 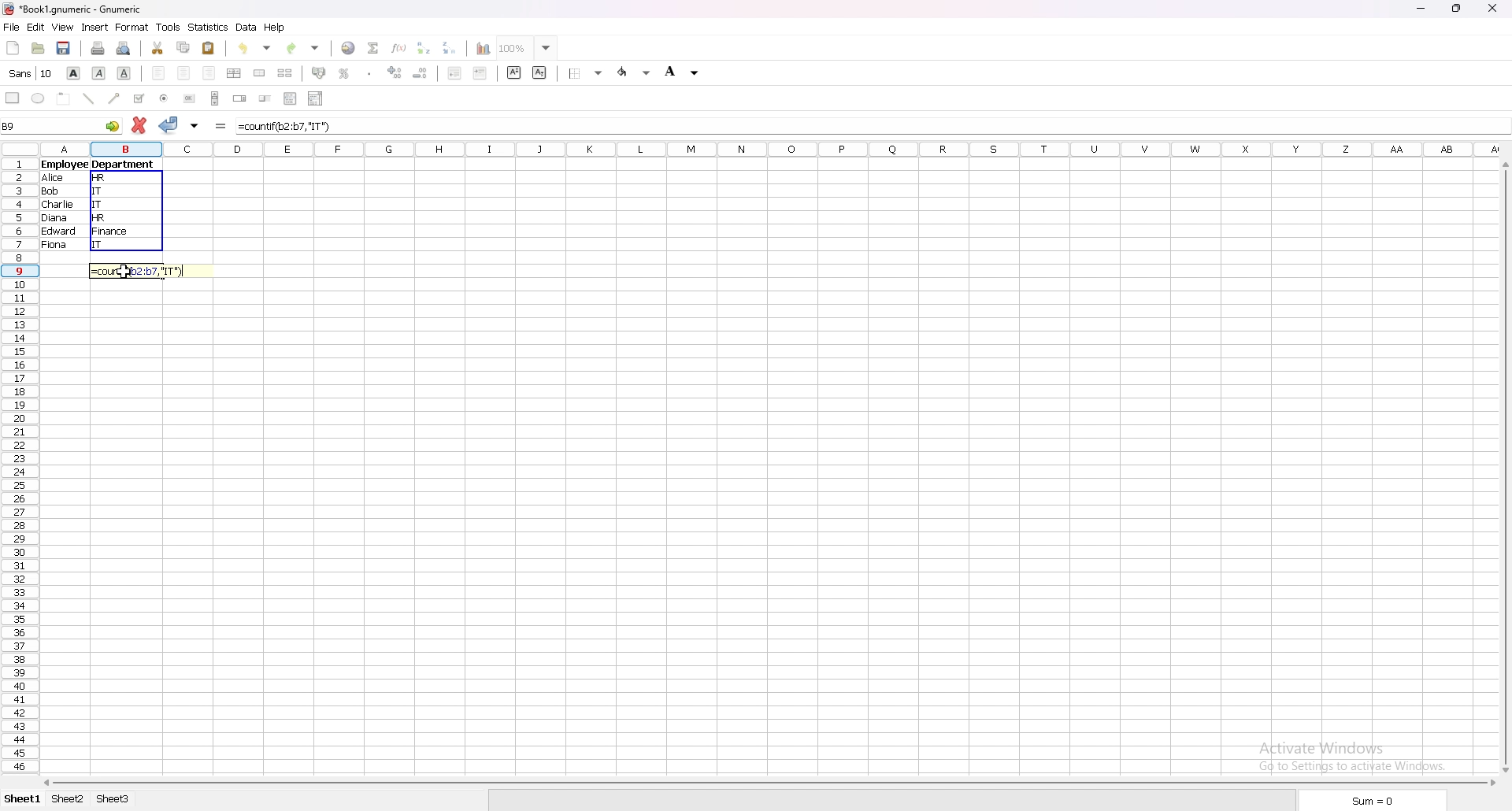 I want to click on data, so click(x=248, y=27).